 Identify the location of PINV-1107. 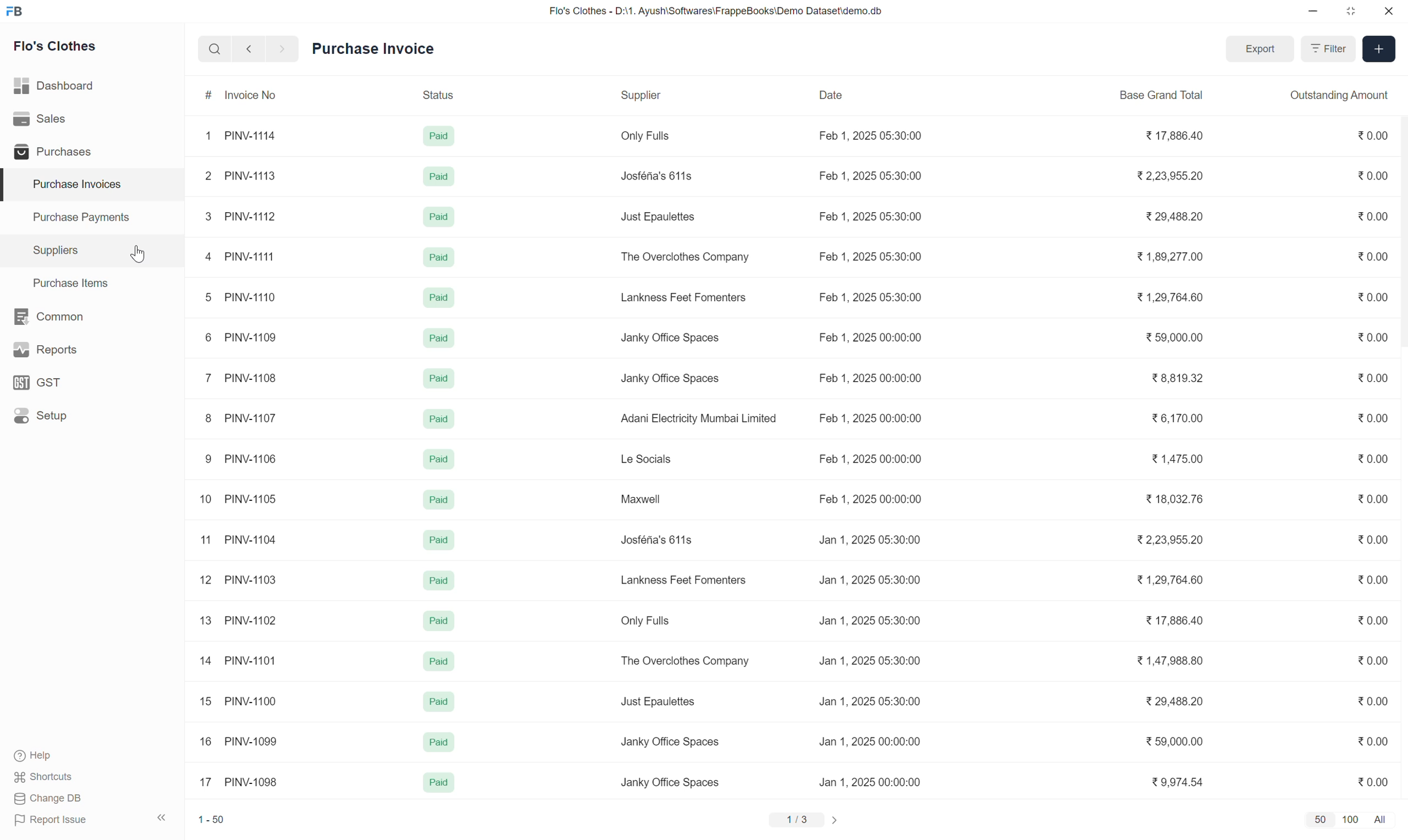
(252, 418).